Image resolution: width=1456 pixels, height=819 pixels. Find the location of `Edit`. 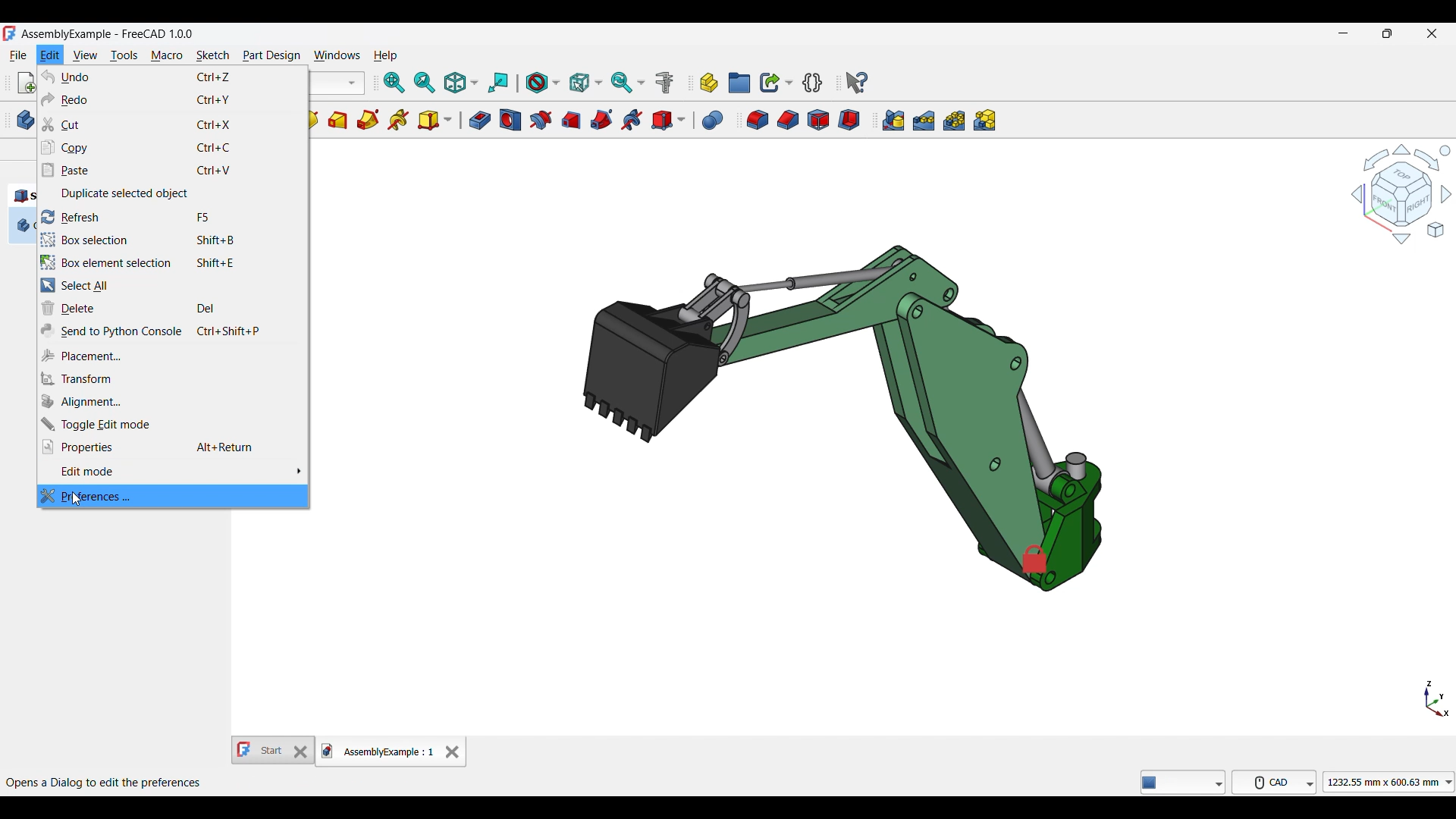

Edit is located at coordinates (51, 55).